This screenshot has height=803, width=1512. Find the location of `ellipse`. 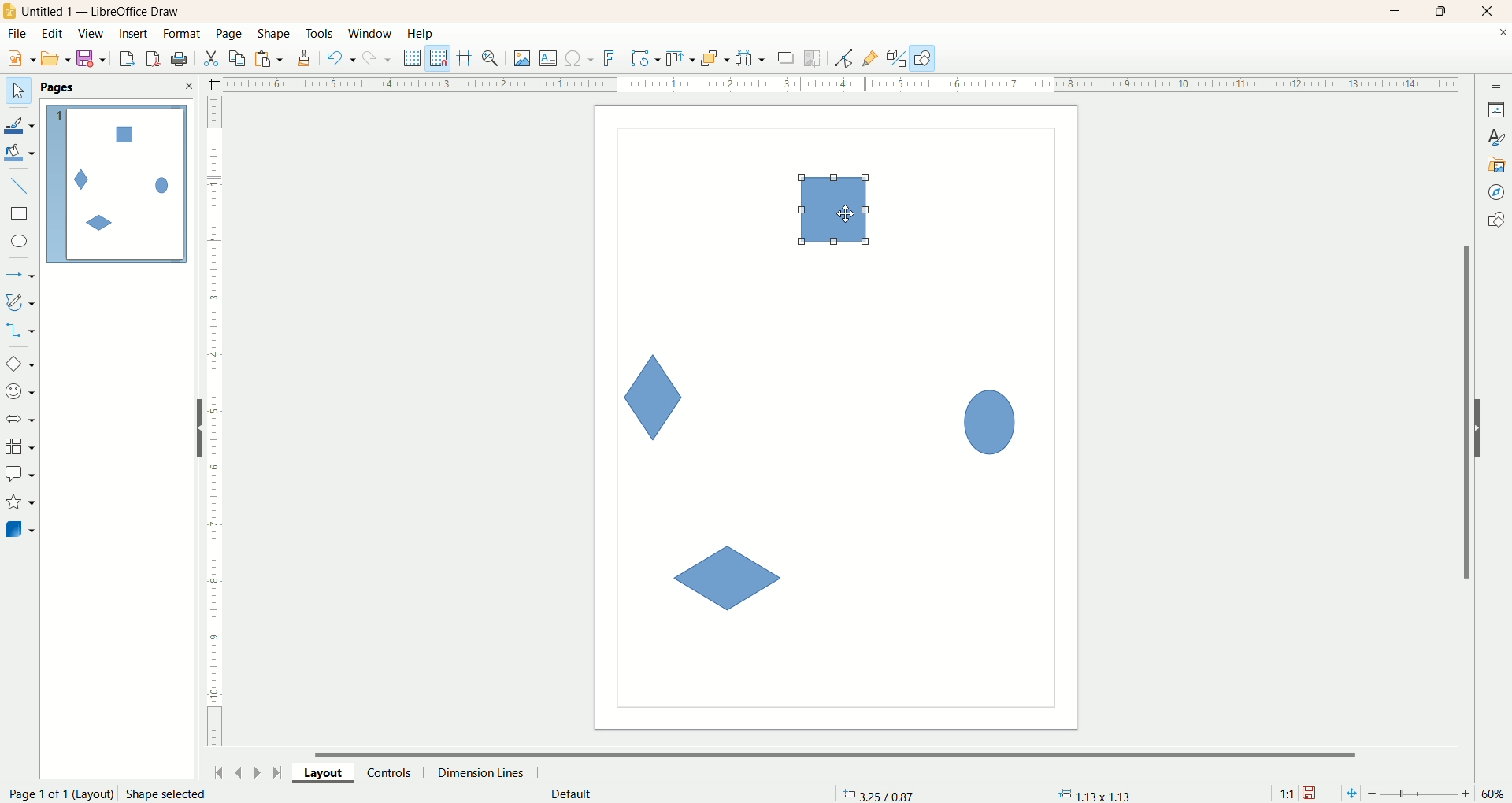

ellipse is located at coordinates (21, 243).